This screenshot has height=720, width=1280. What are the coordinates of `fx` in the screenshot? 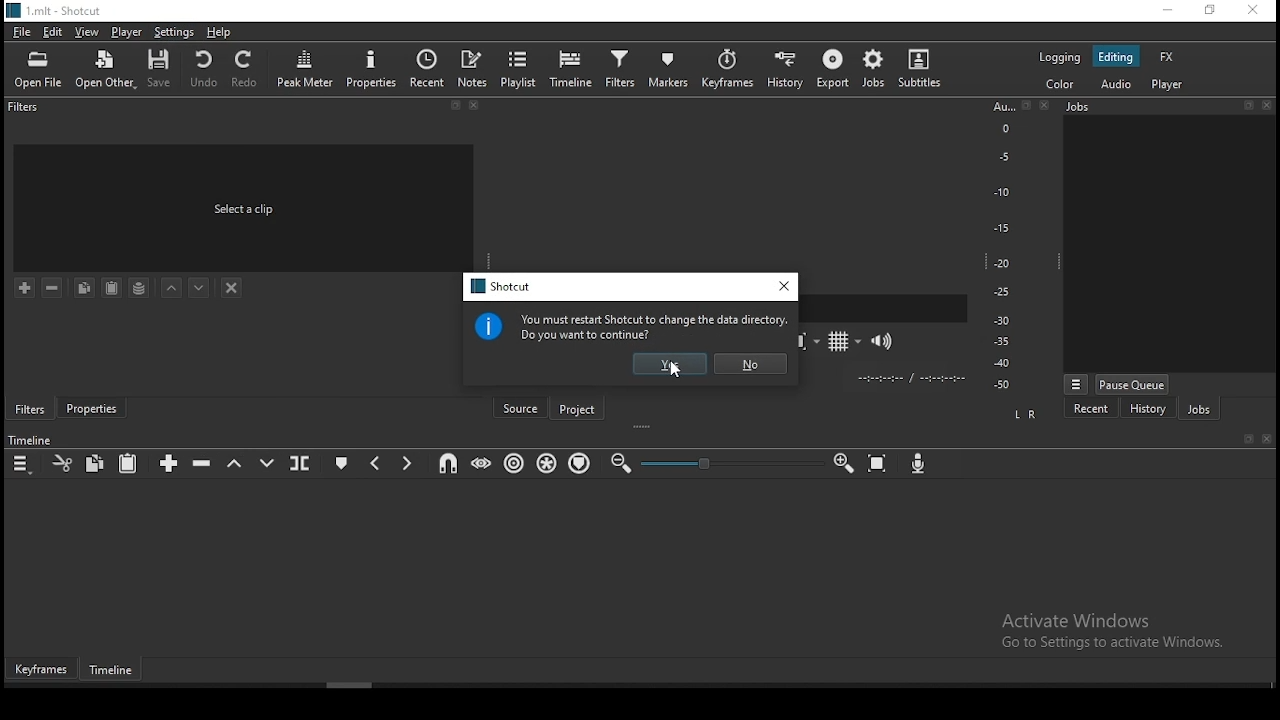 It's located at (1167, 56).